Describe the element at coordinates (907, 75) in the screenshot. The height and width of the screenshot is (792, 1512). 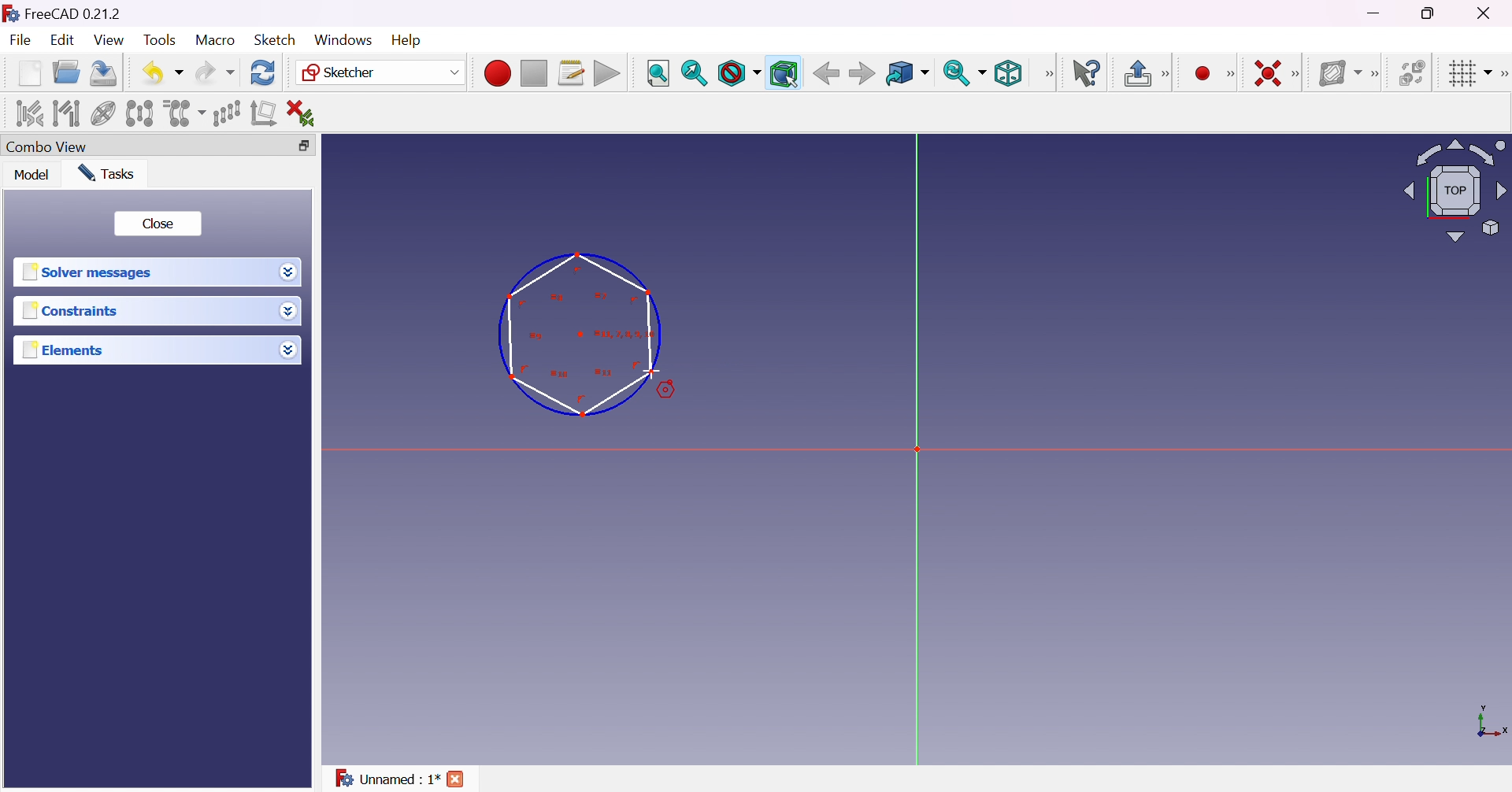
I see `Go to linked object` at that location.